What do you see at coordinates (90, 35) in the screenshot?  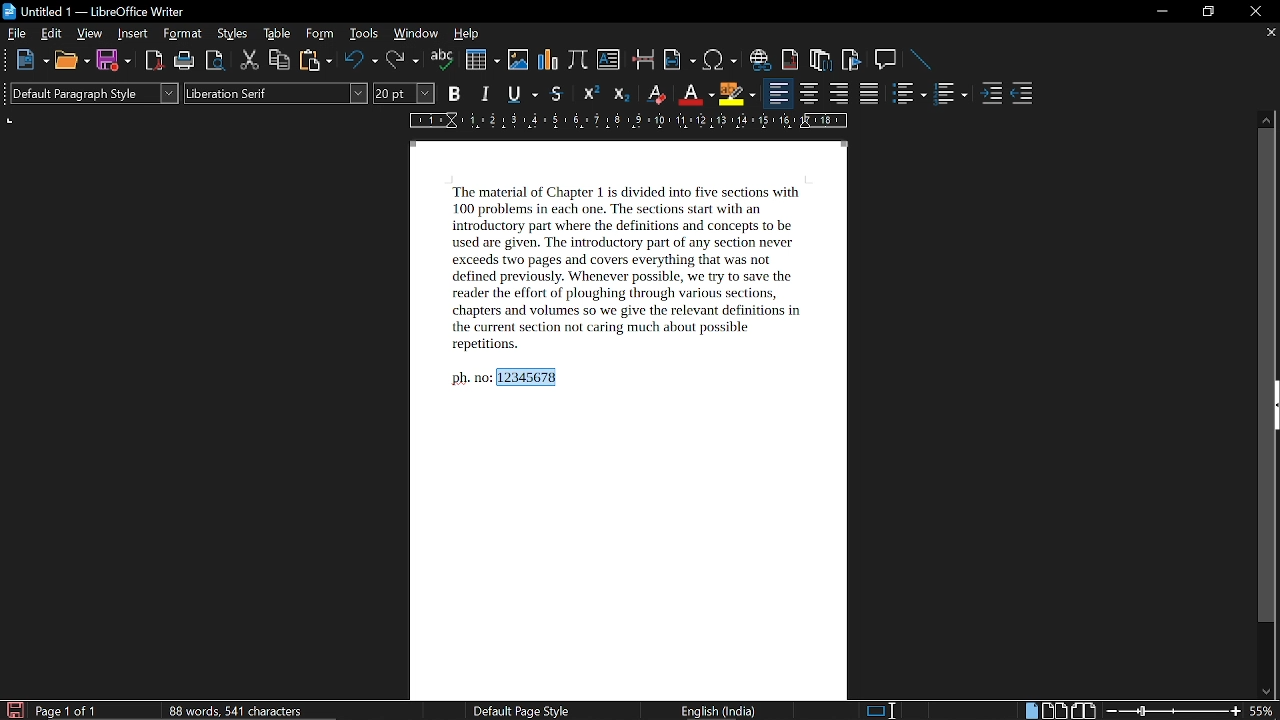 I see `view` at bounding box center [90, 35].